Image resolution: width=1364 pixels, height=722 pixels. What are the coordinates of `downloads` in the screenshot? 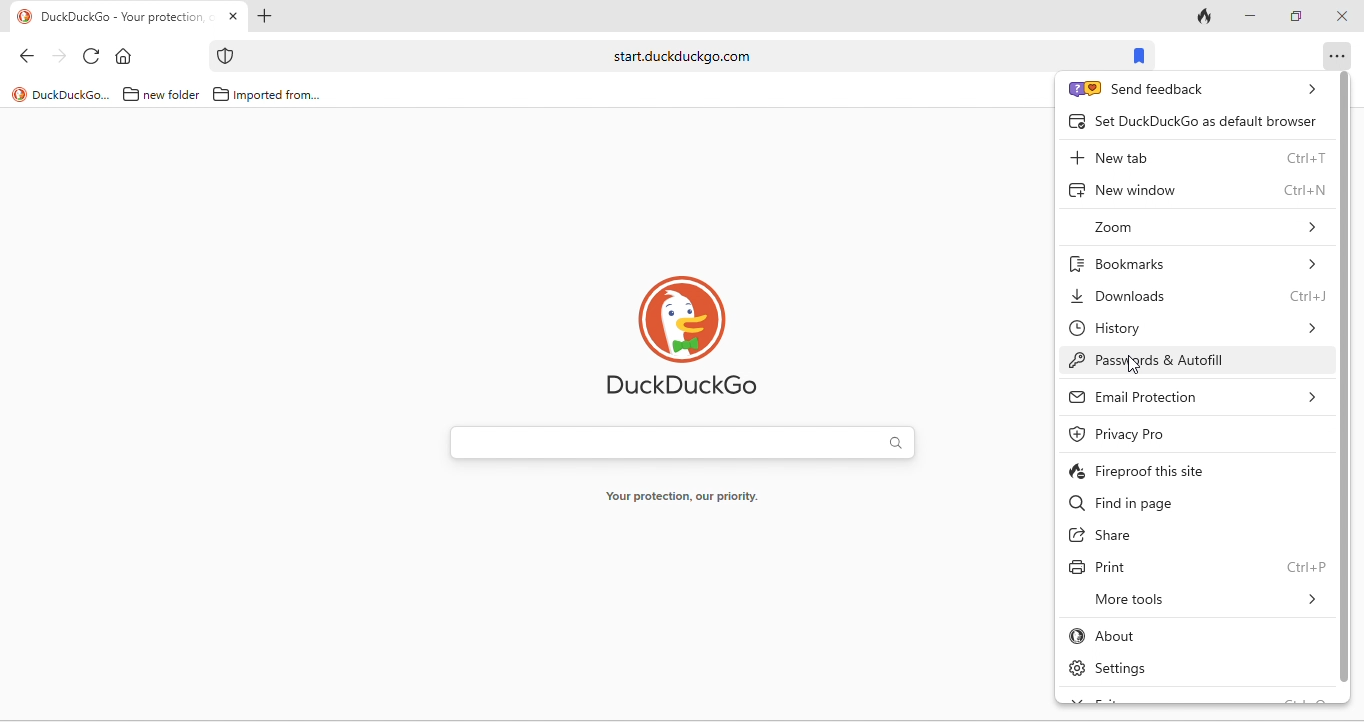 It's located at (1174, 301).